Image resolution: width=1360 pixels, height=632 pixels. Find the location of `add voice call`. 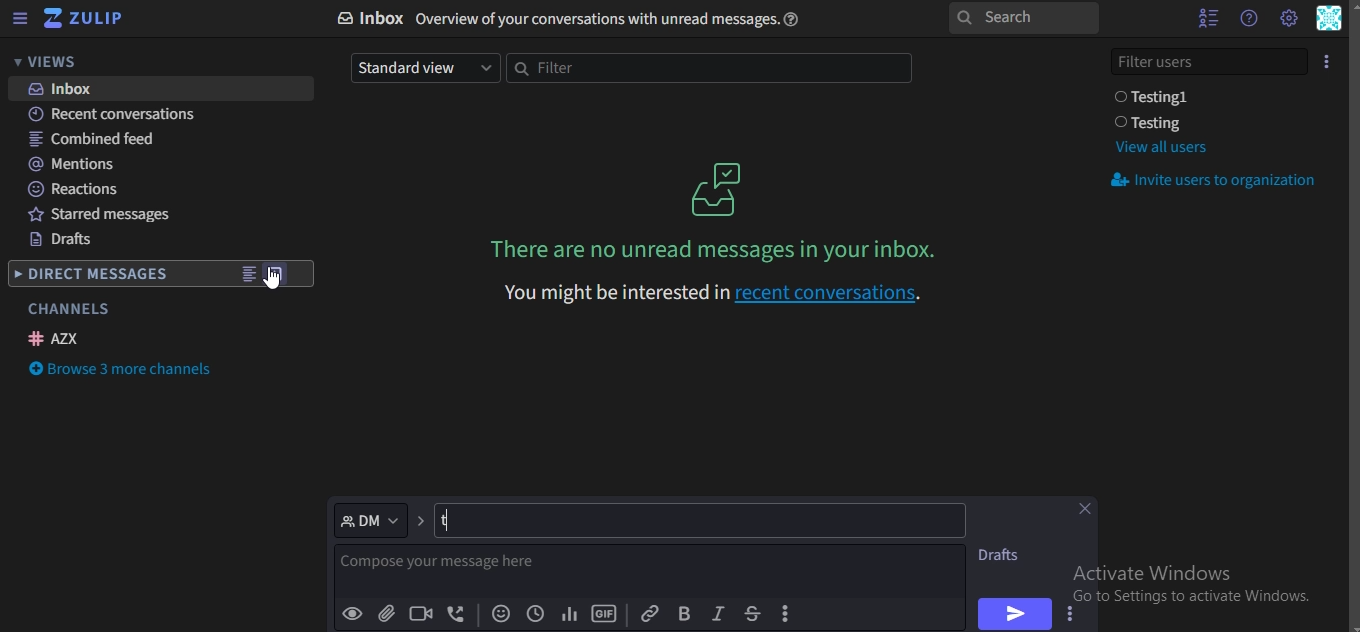

add voice call is located at coordinates (457, 615).